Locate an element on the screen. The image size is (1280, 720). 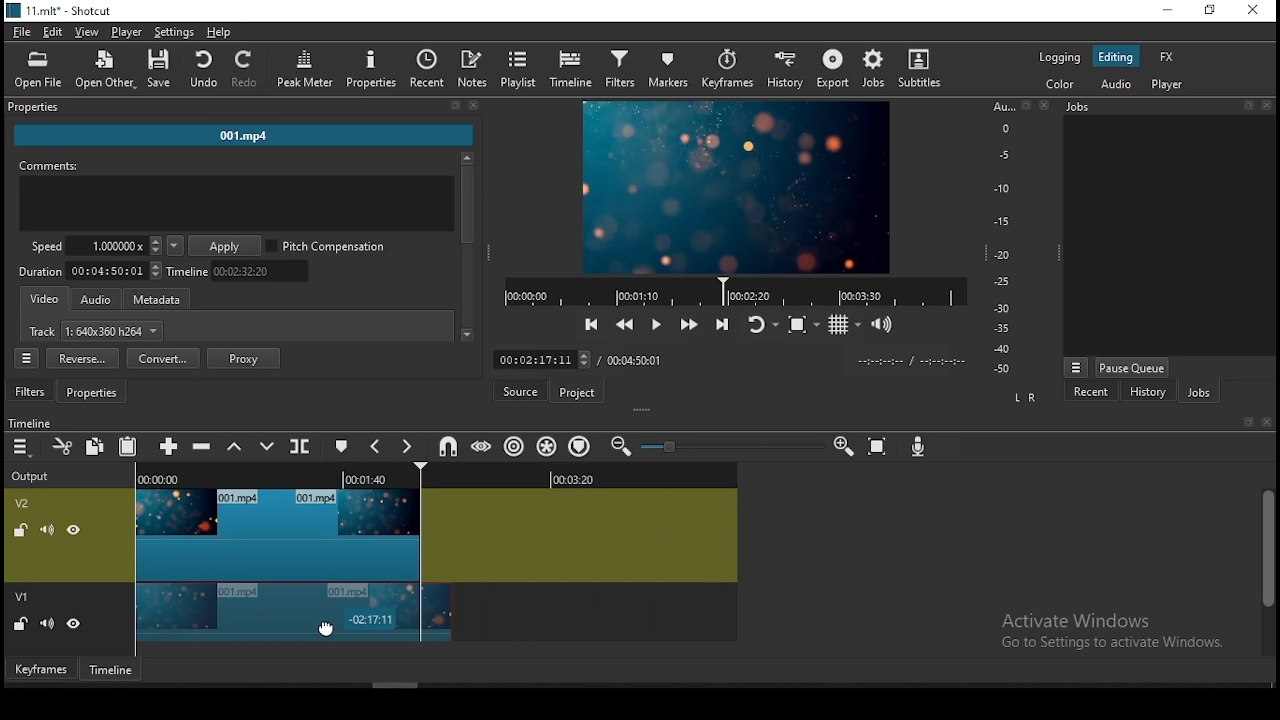
copy is located at coordinates (95, 447).